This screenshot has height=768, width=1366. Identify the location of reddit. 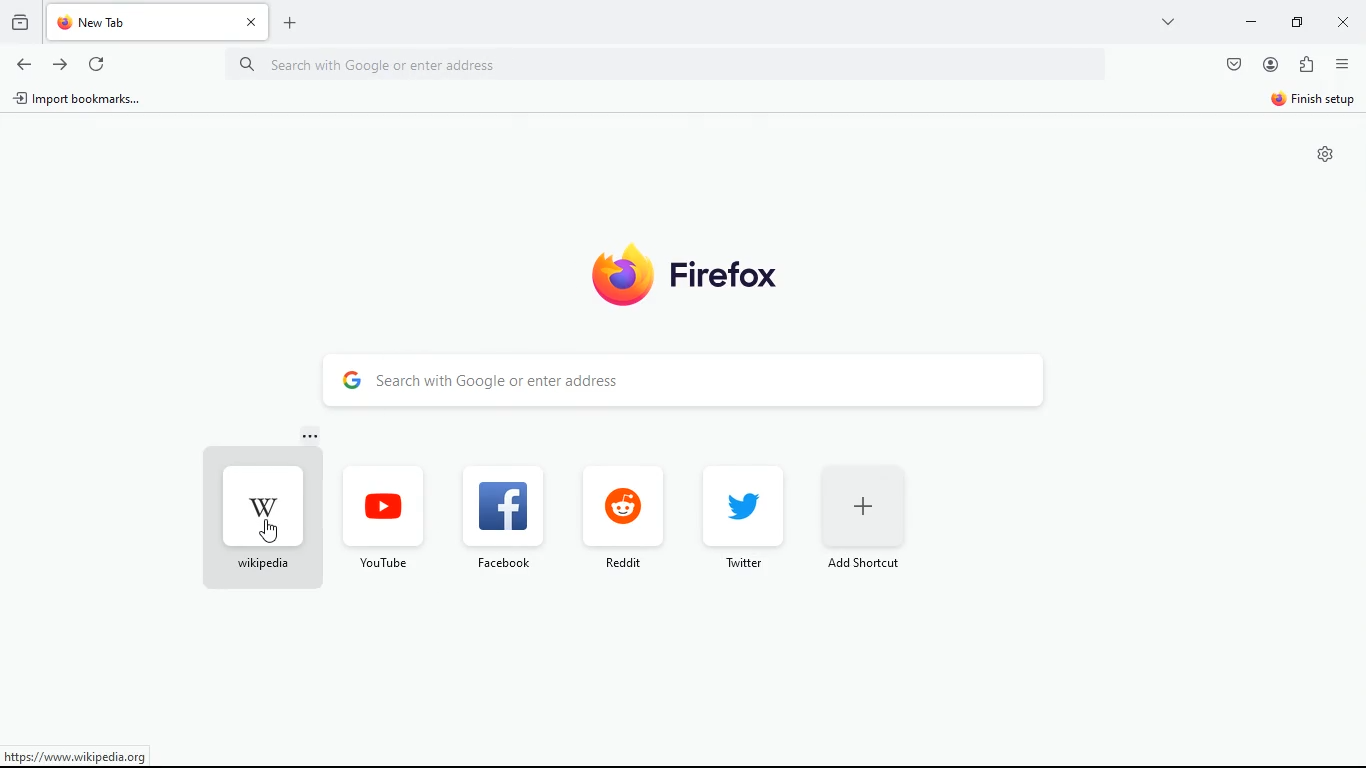
(619, 563).